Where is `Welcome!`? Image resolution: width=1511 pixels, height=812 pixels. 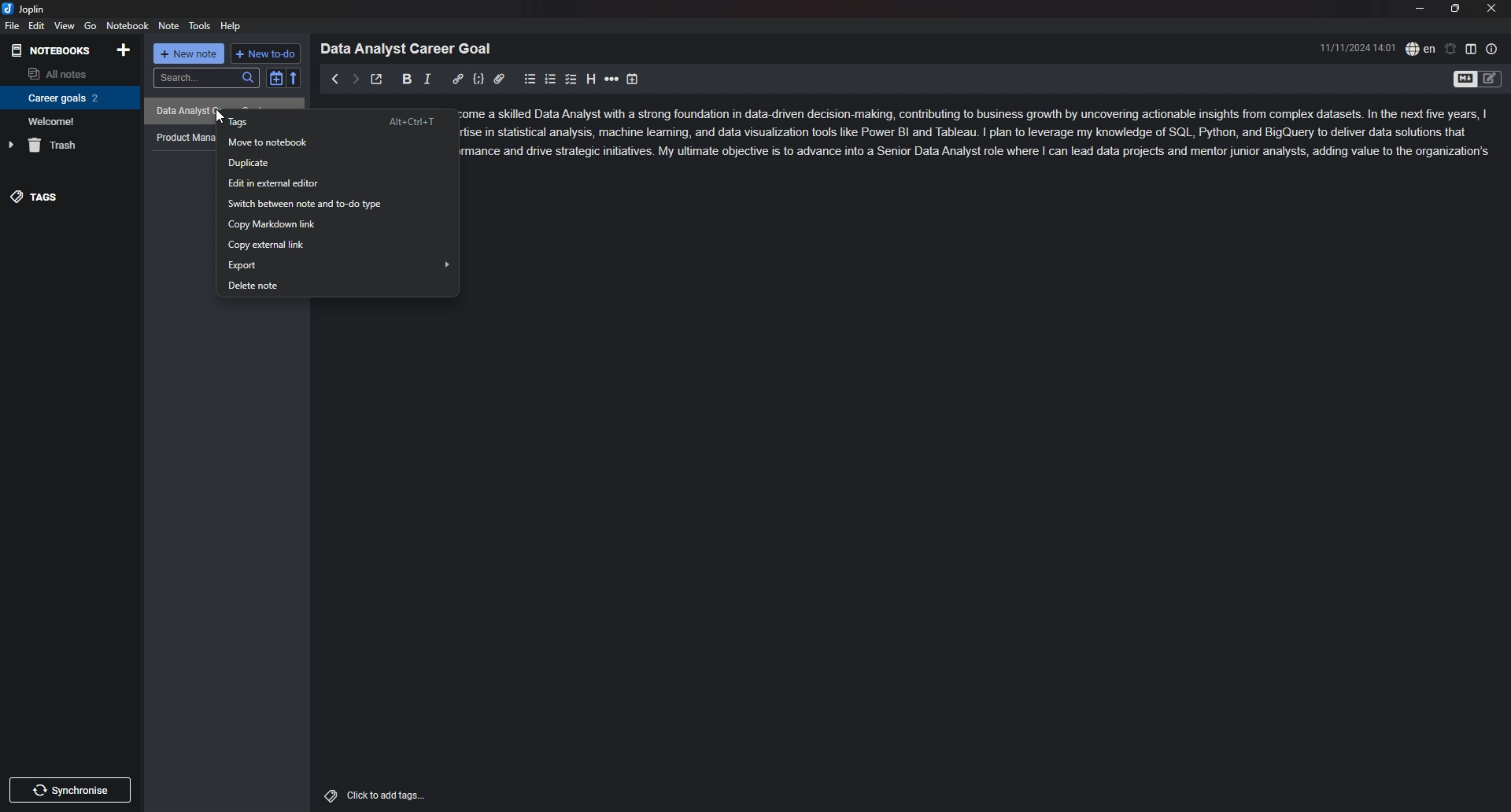 Welcome! is located at coordinates (66, 120).